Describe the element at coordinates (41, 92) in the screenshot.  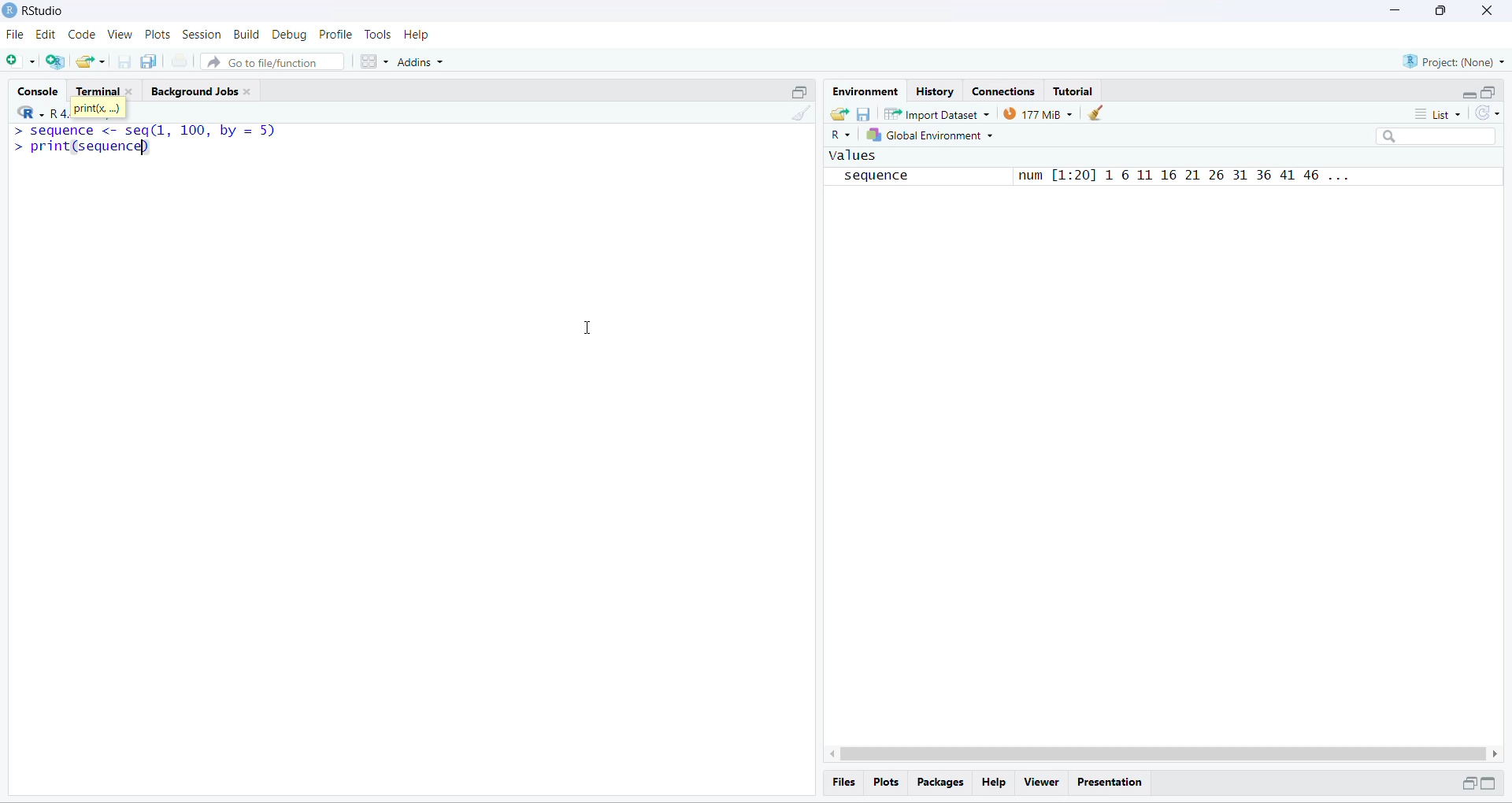
I see `console` at that location.